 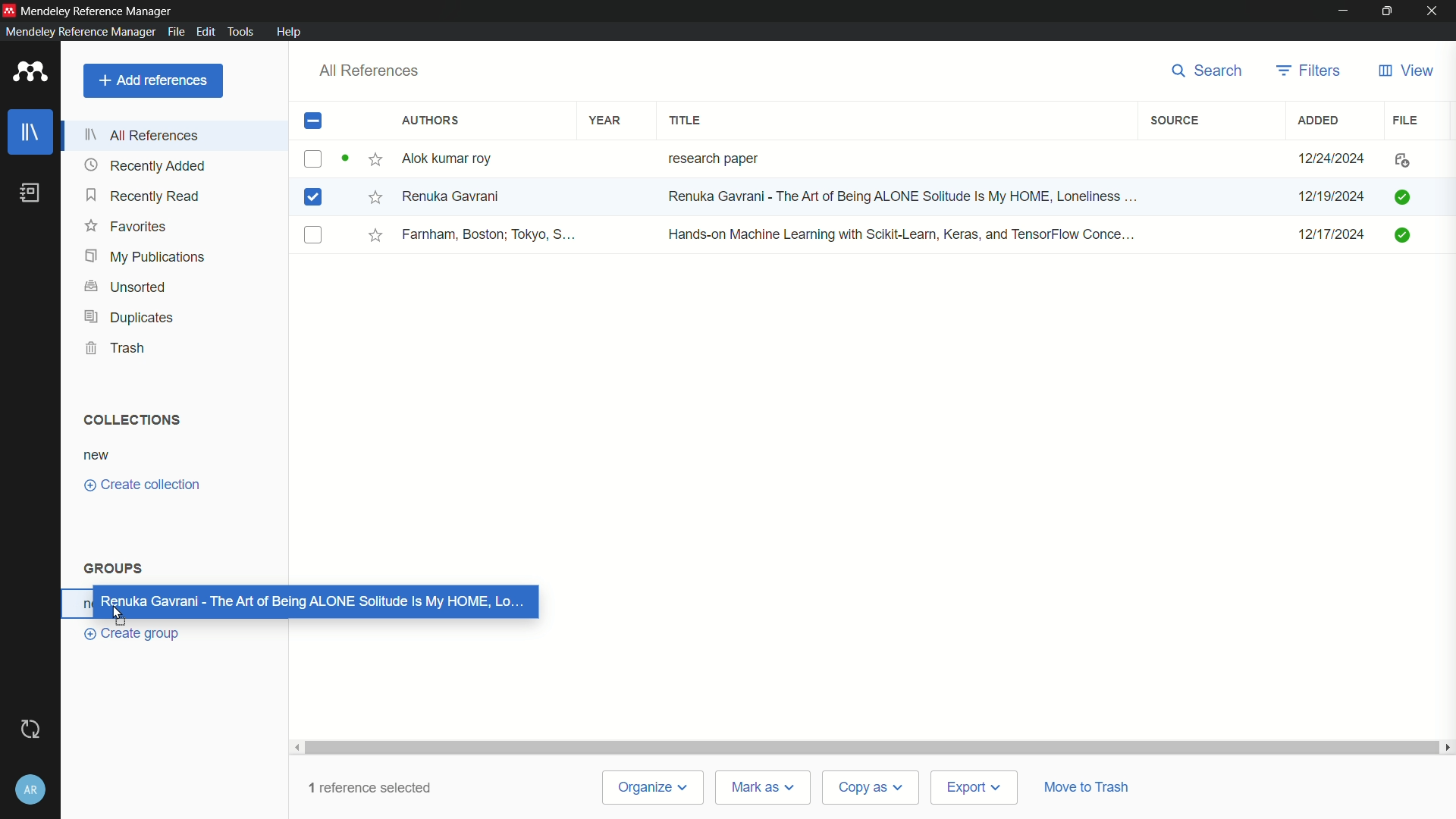 What do you see at coordinates (146, 256) in the screenshot?
I see `my publications` at bounding box center [146, 256].